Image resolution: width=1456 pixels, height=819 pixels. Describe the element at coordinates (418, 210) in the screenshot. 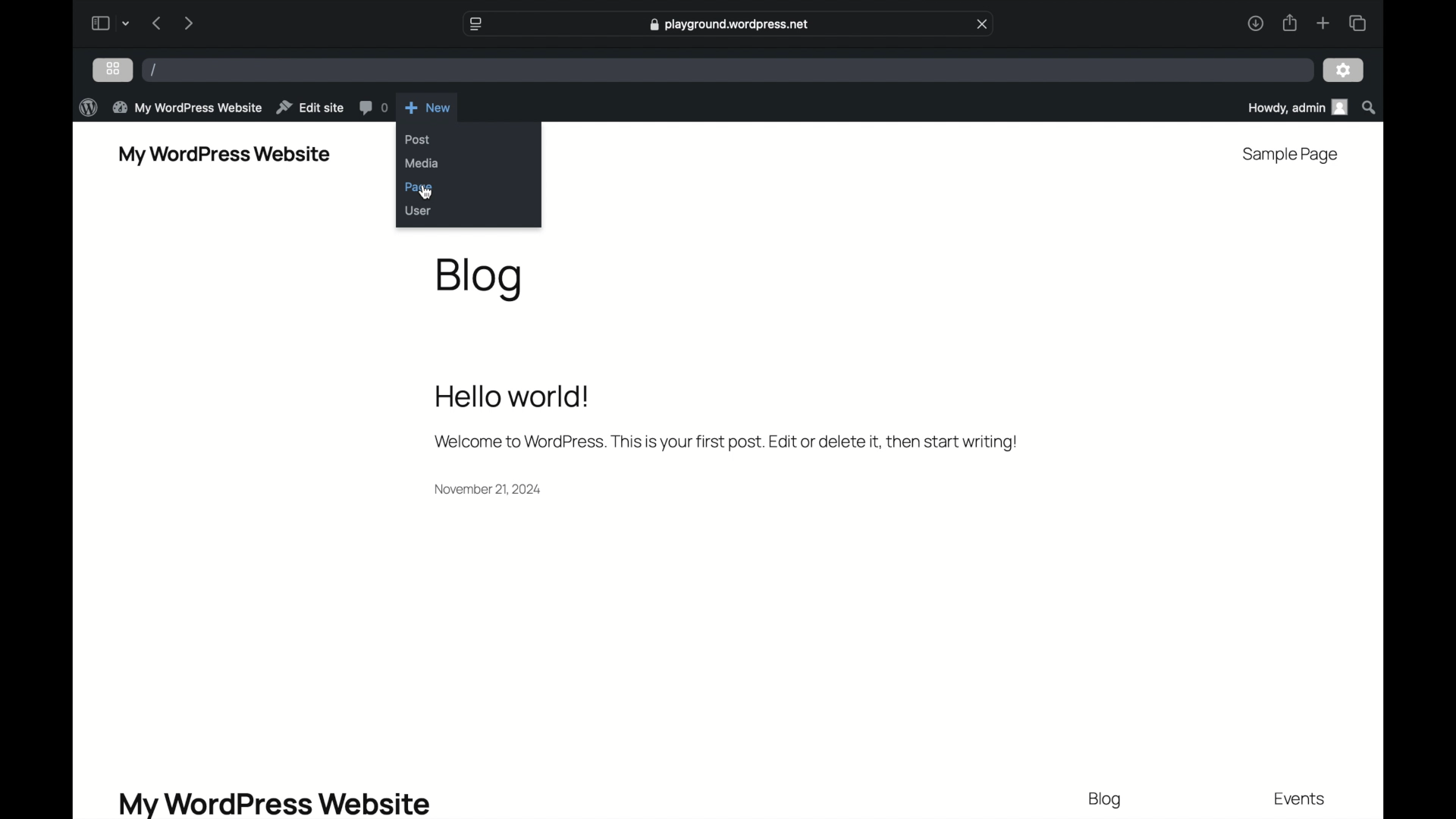

I see `user` at that location.